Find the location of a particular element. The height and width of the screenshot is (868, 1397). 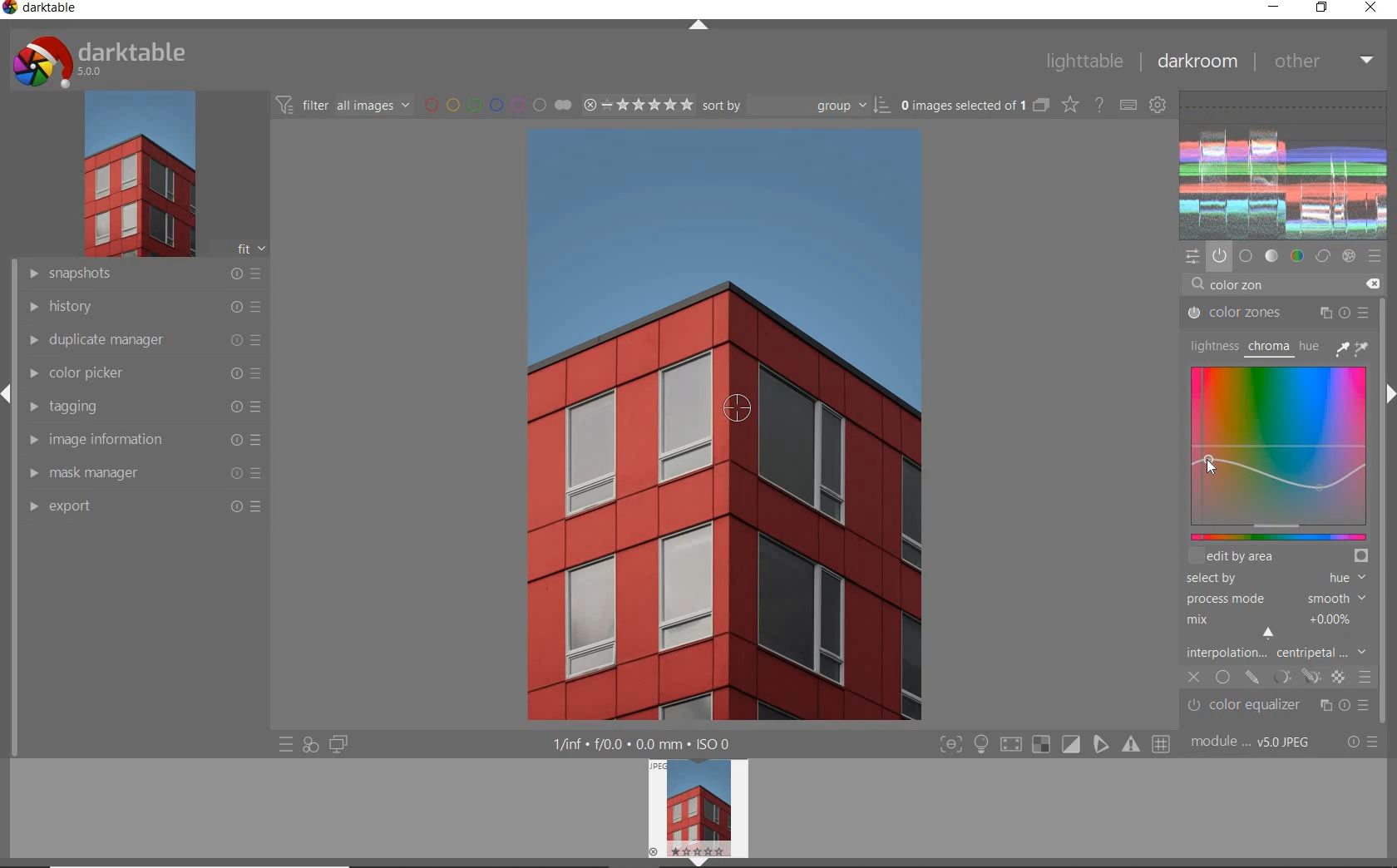

CHROMA is located at coordinates (1267, 348).